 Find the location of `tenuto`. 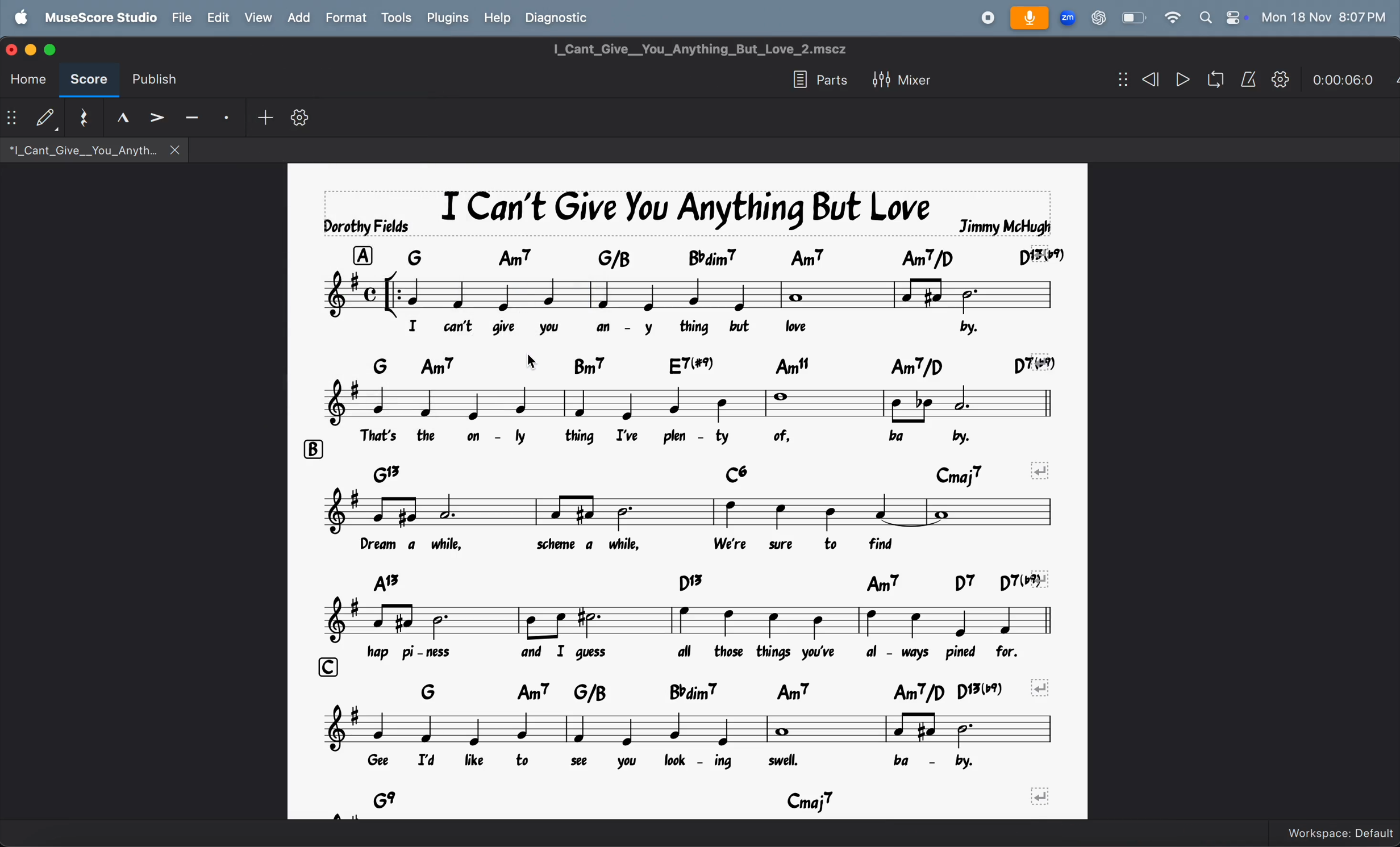

tenuto is located at coordinates (118, 119).